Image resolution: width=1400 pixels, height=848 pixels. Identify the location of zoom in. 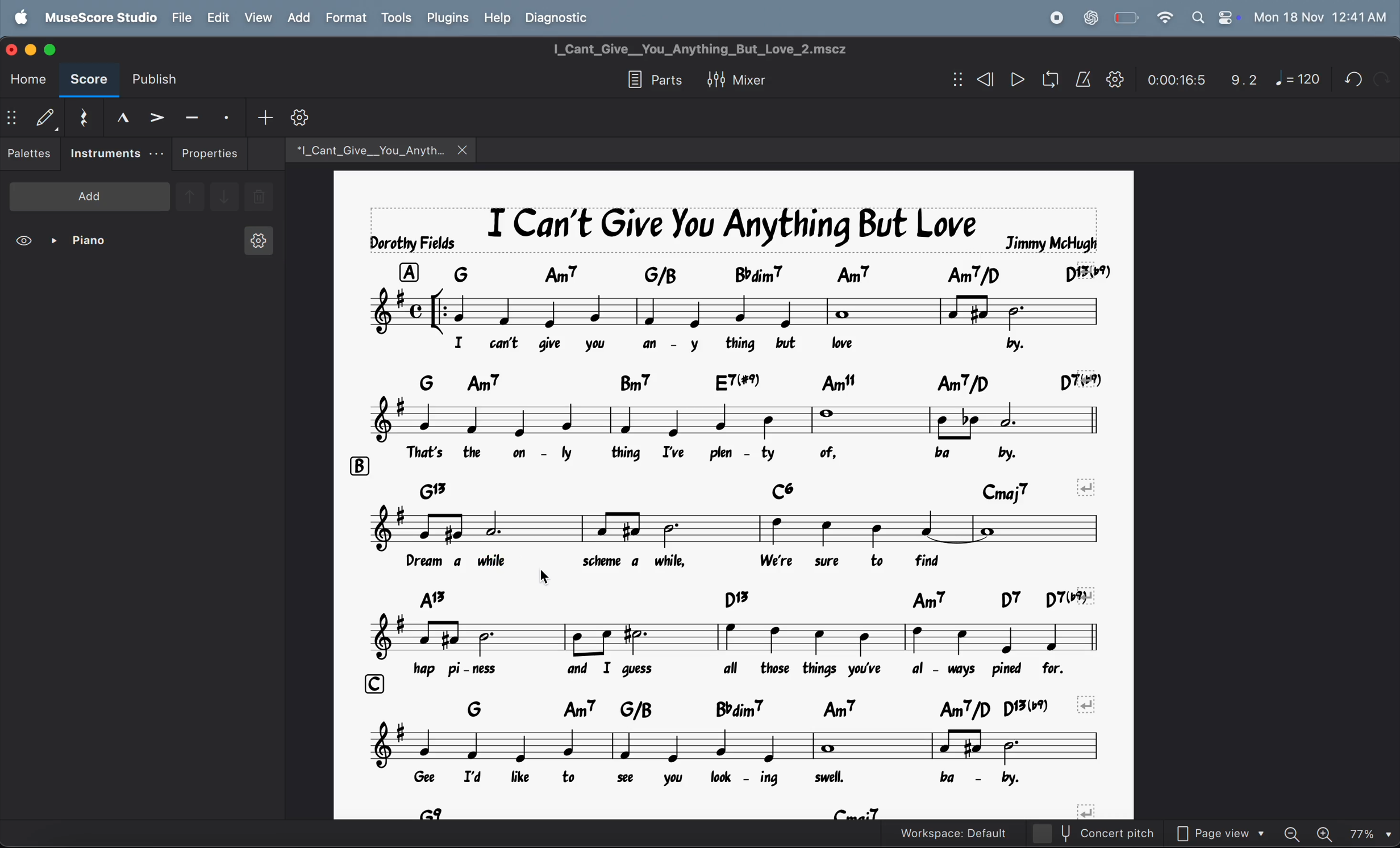
(1328, 833).